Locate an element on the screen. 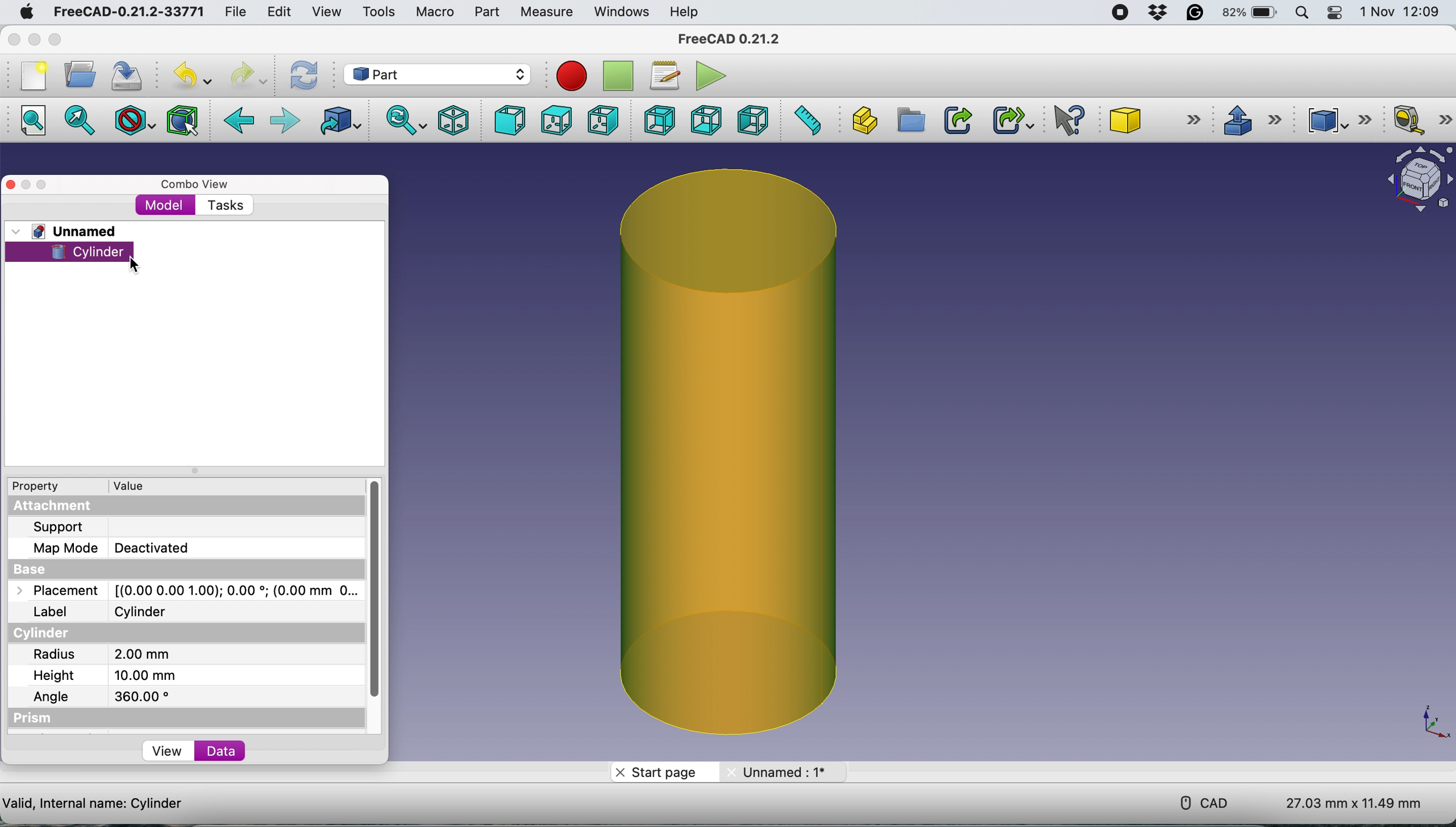  prism is located at coordinates (32, 720).